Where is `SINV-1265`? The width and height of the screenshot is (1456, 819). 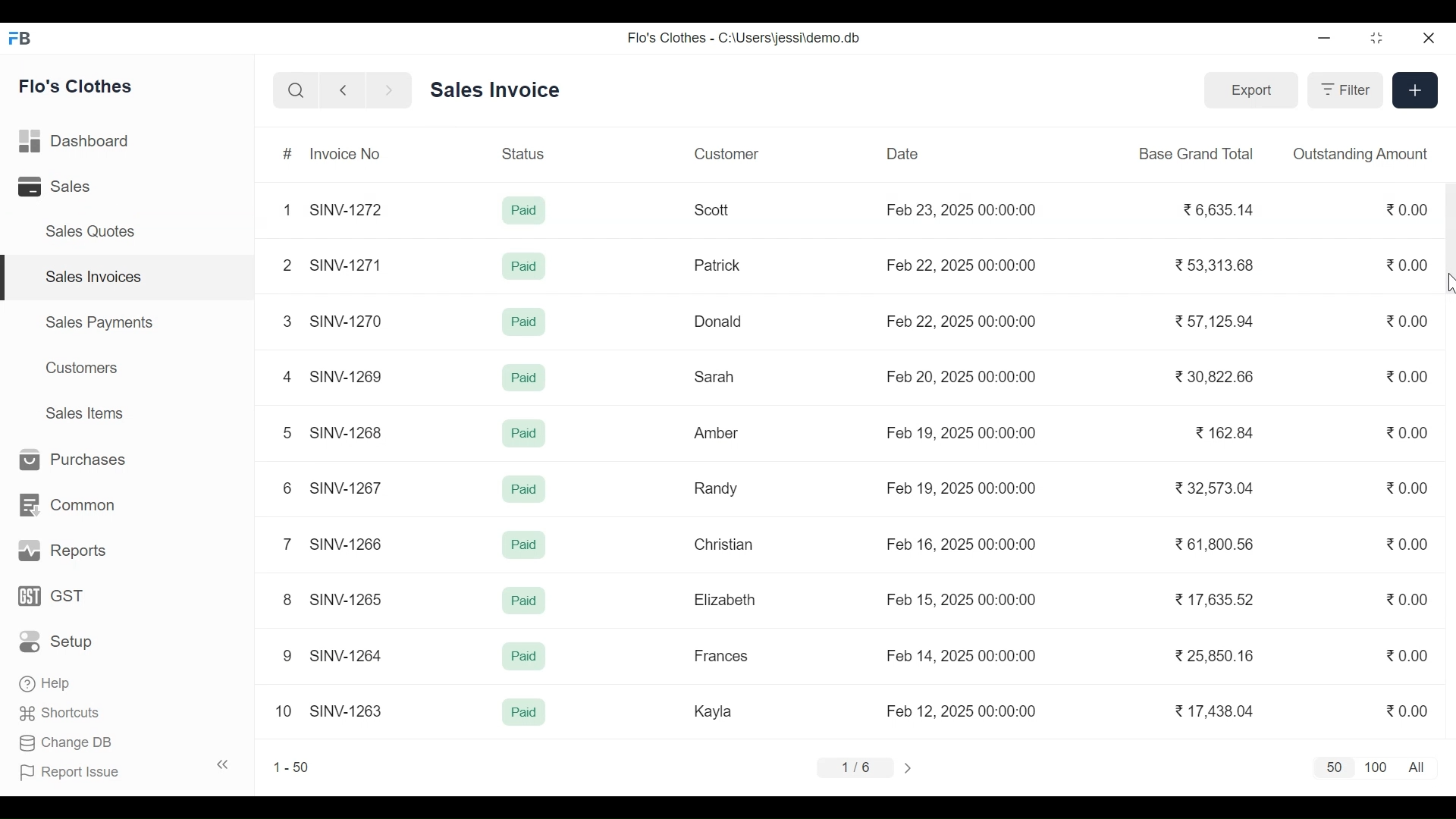
SINV-1265 is located at coordinates (347, 600).